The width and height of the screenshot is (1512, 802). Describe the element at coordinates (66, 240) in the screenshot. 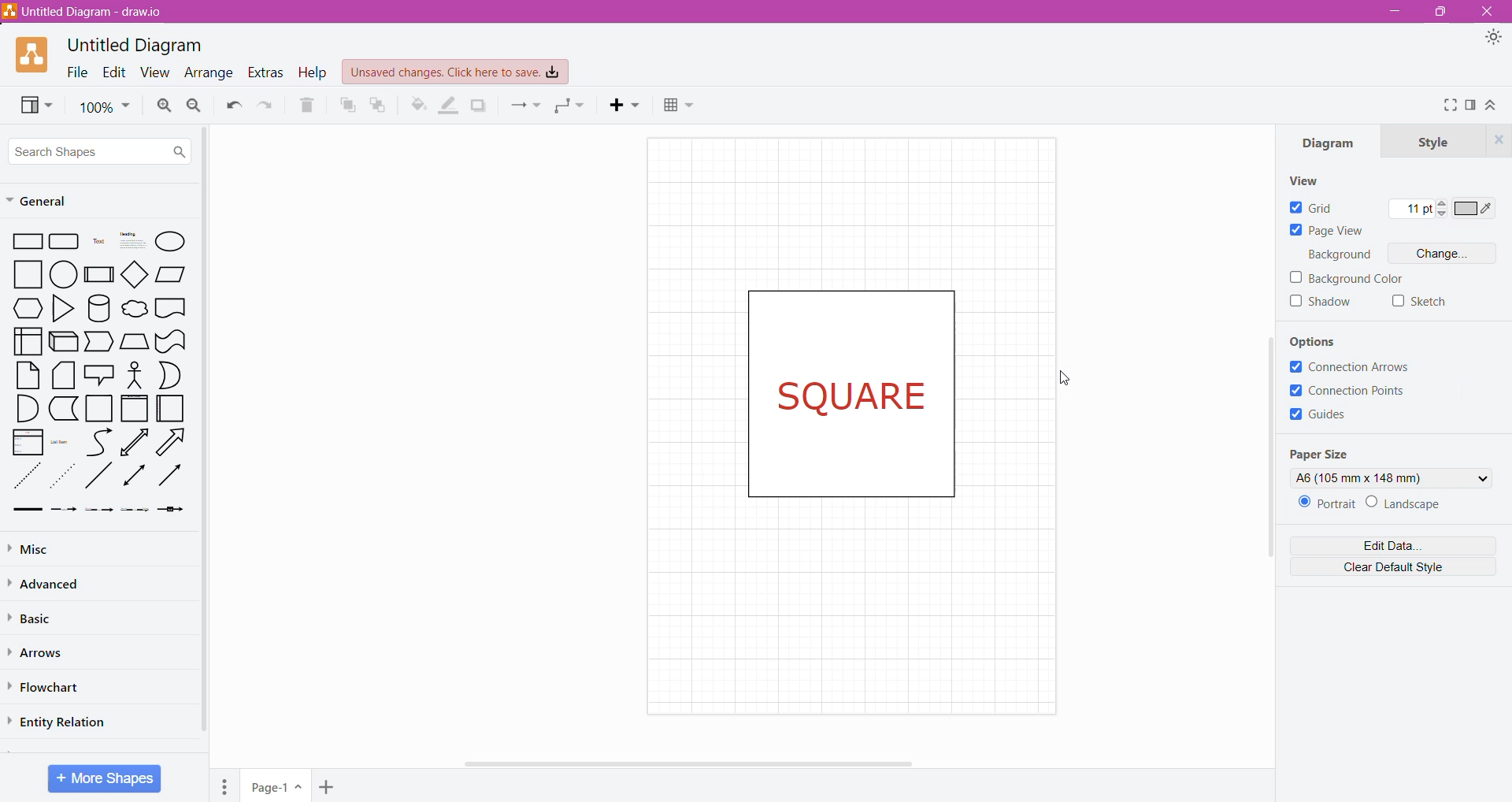

I see `Rectangle grid` at that location.